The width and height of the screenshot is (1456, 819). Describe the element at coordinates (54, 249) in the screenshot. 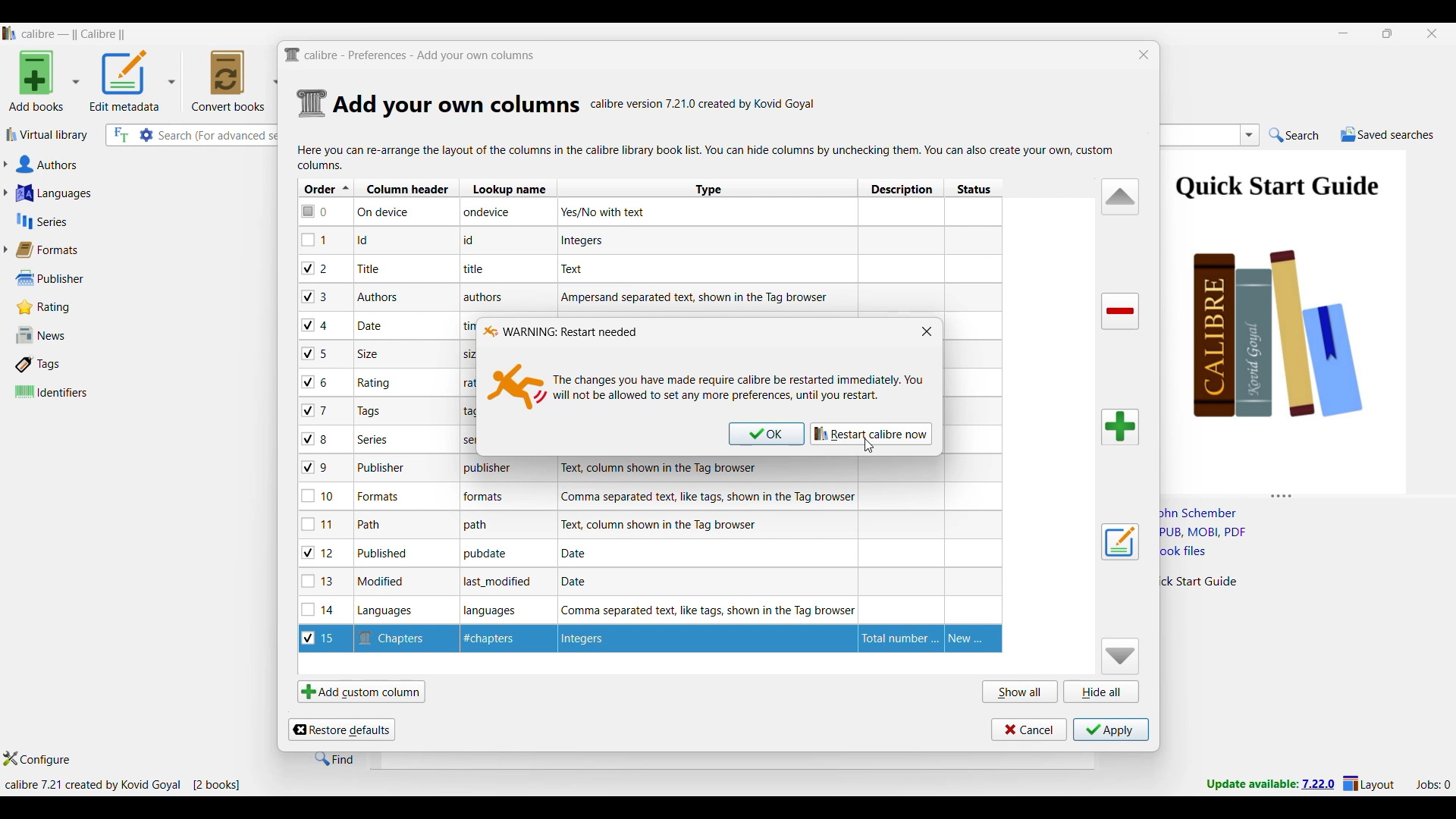

I see `Formats` at that location.